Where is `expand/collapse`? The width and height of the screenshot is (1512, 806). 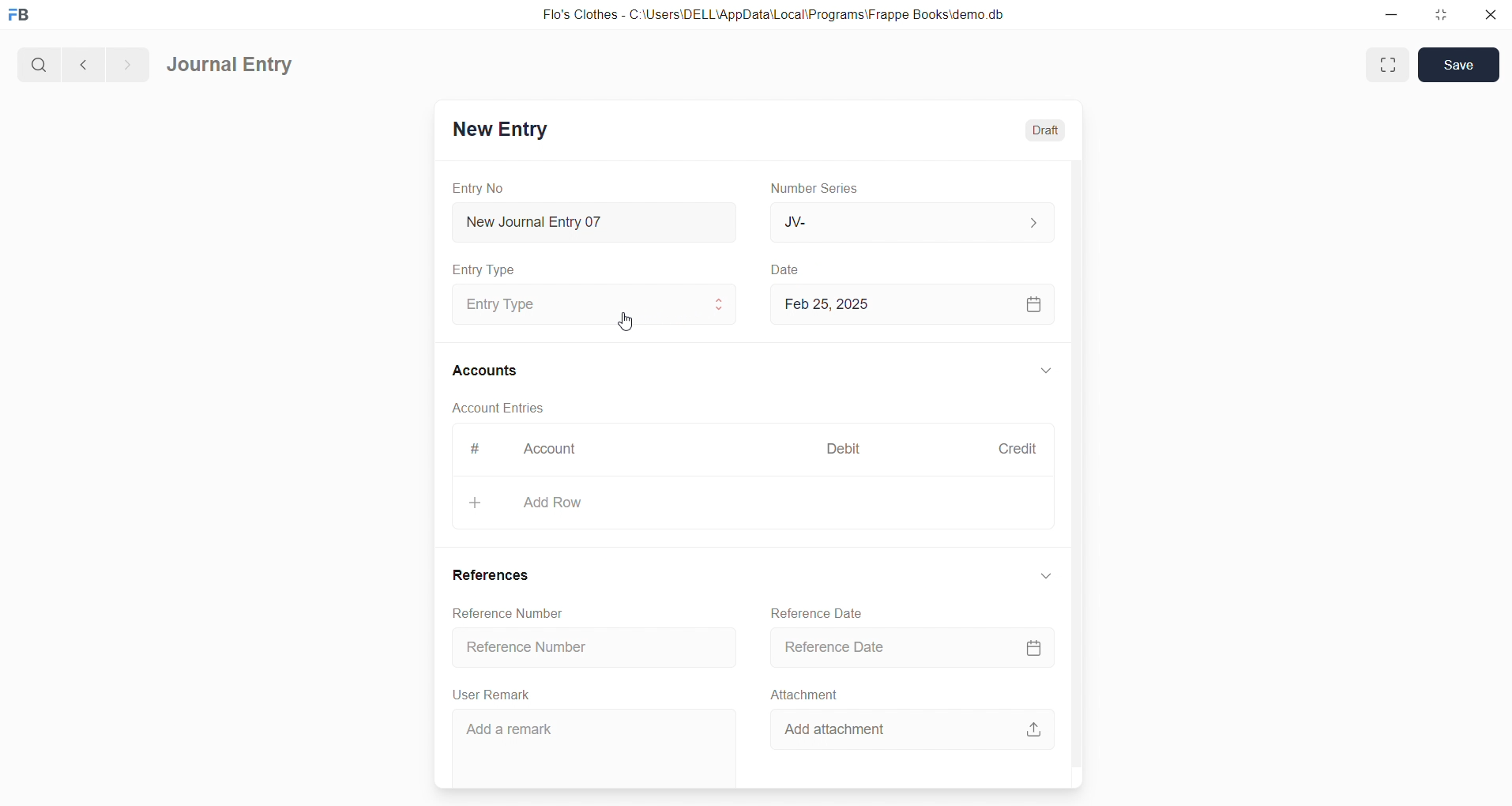
expand/collapse is located at coordinates (1045, 371).